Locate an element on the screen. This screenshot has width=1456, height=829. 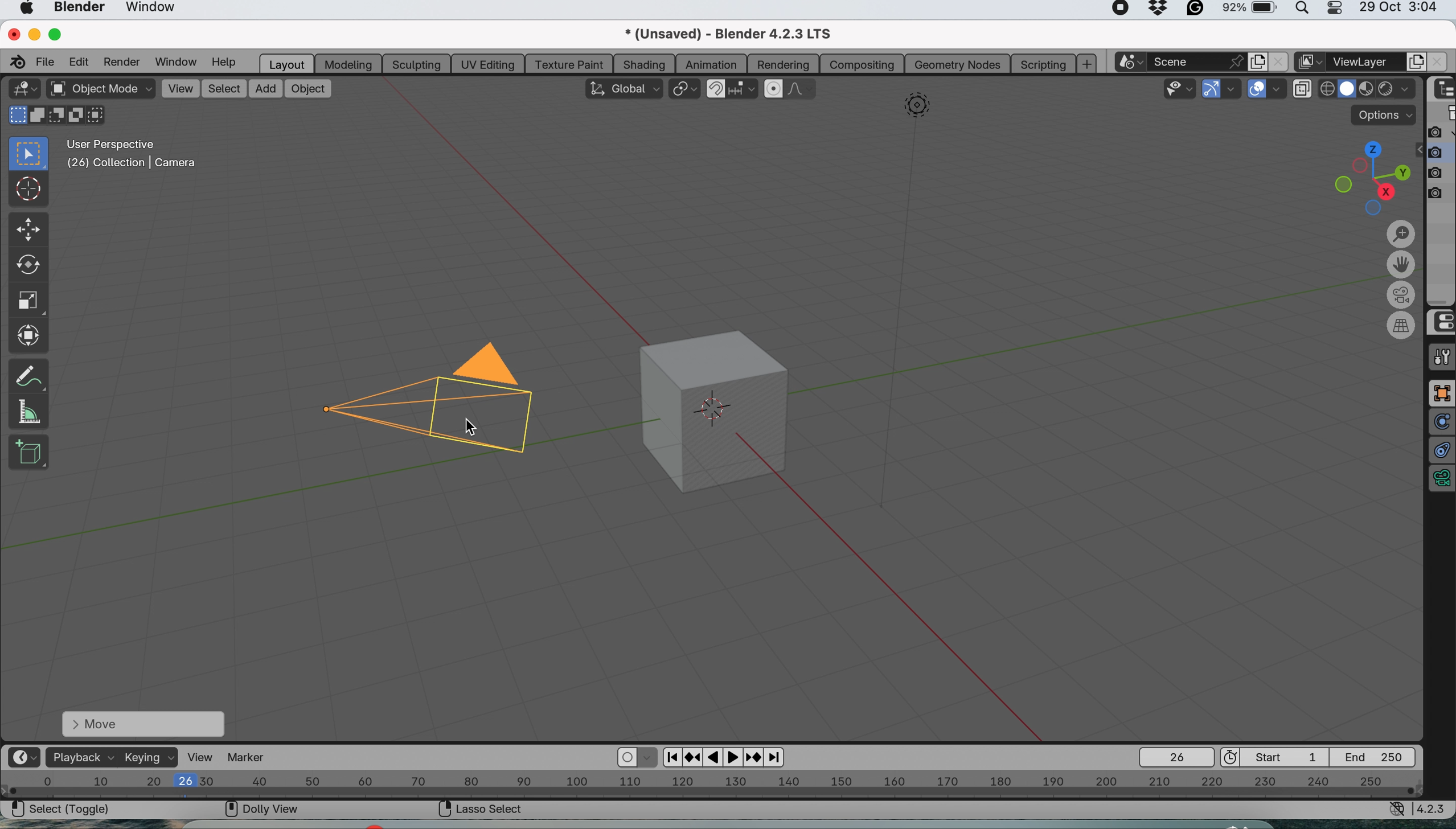
show gizmos is located at coordinates (1212, 89).